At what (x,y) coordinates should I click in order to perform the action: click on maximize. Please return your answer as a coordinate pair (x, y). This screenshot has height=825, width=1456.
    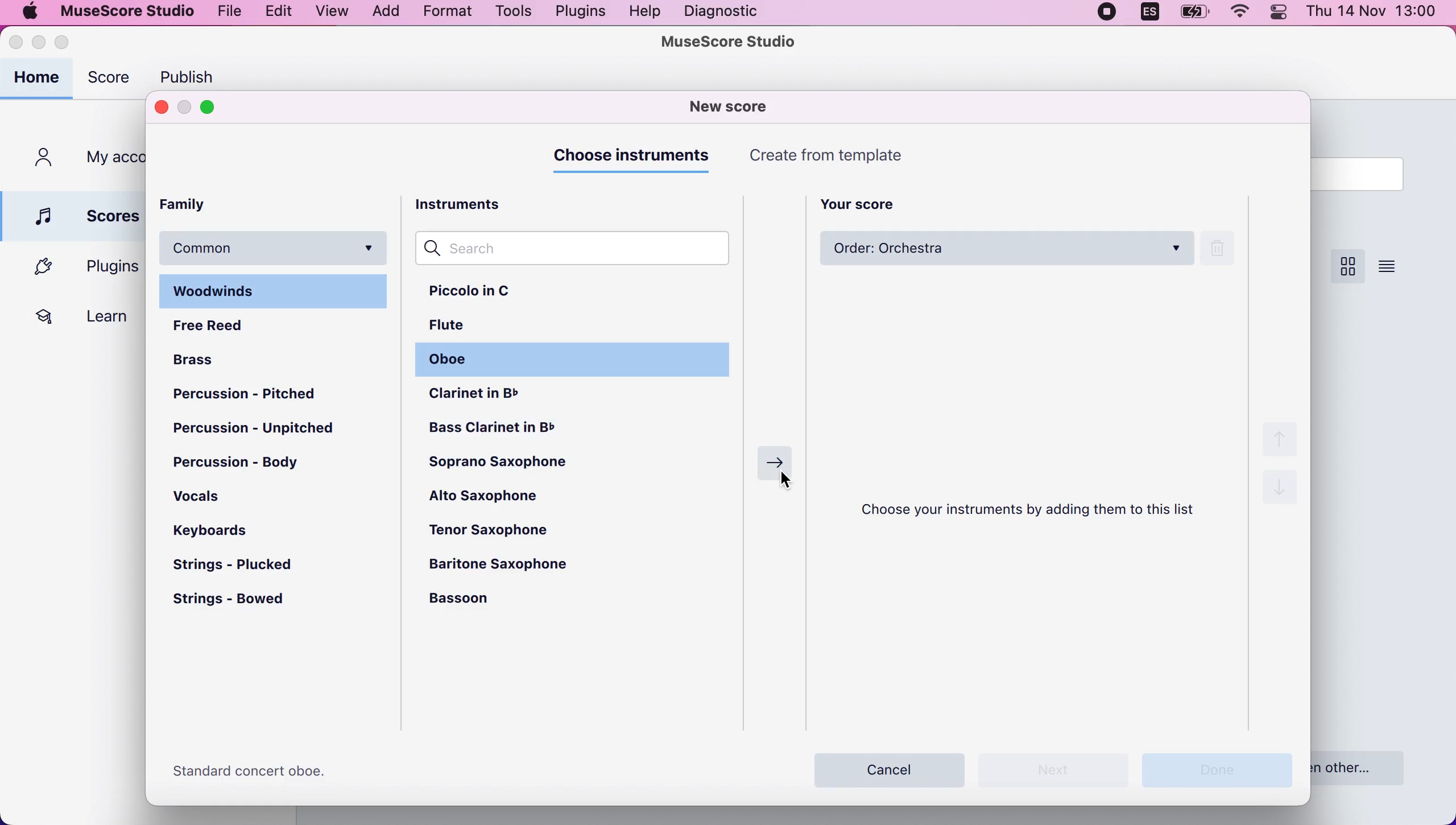
    Looking at the image, I should click on (75, 43).